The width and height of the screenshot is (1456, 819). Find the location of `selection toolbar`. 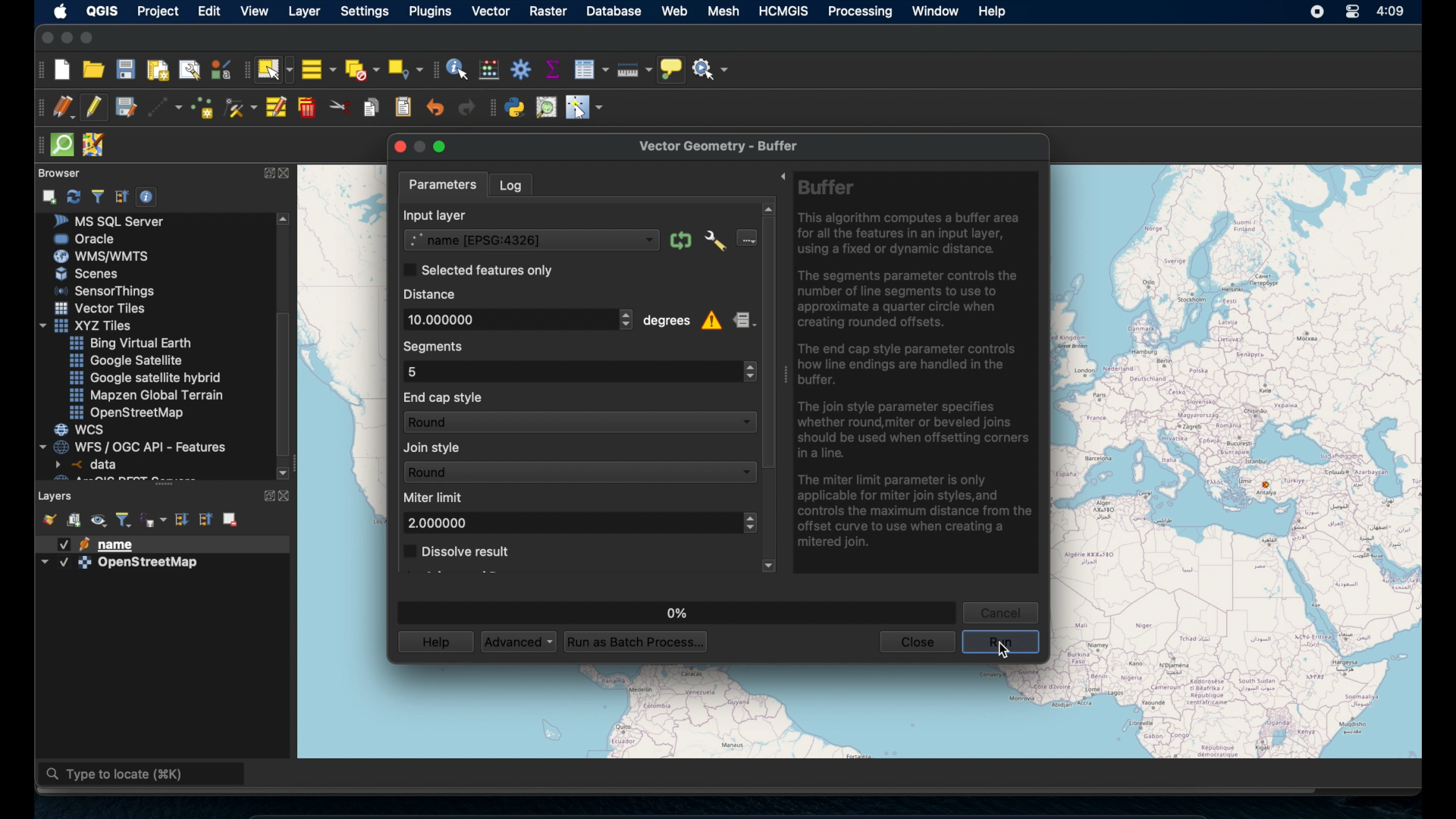

selection toolbar is located at coordinates (243, 72).